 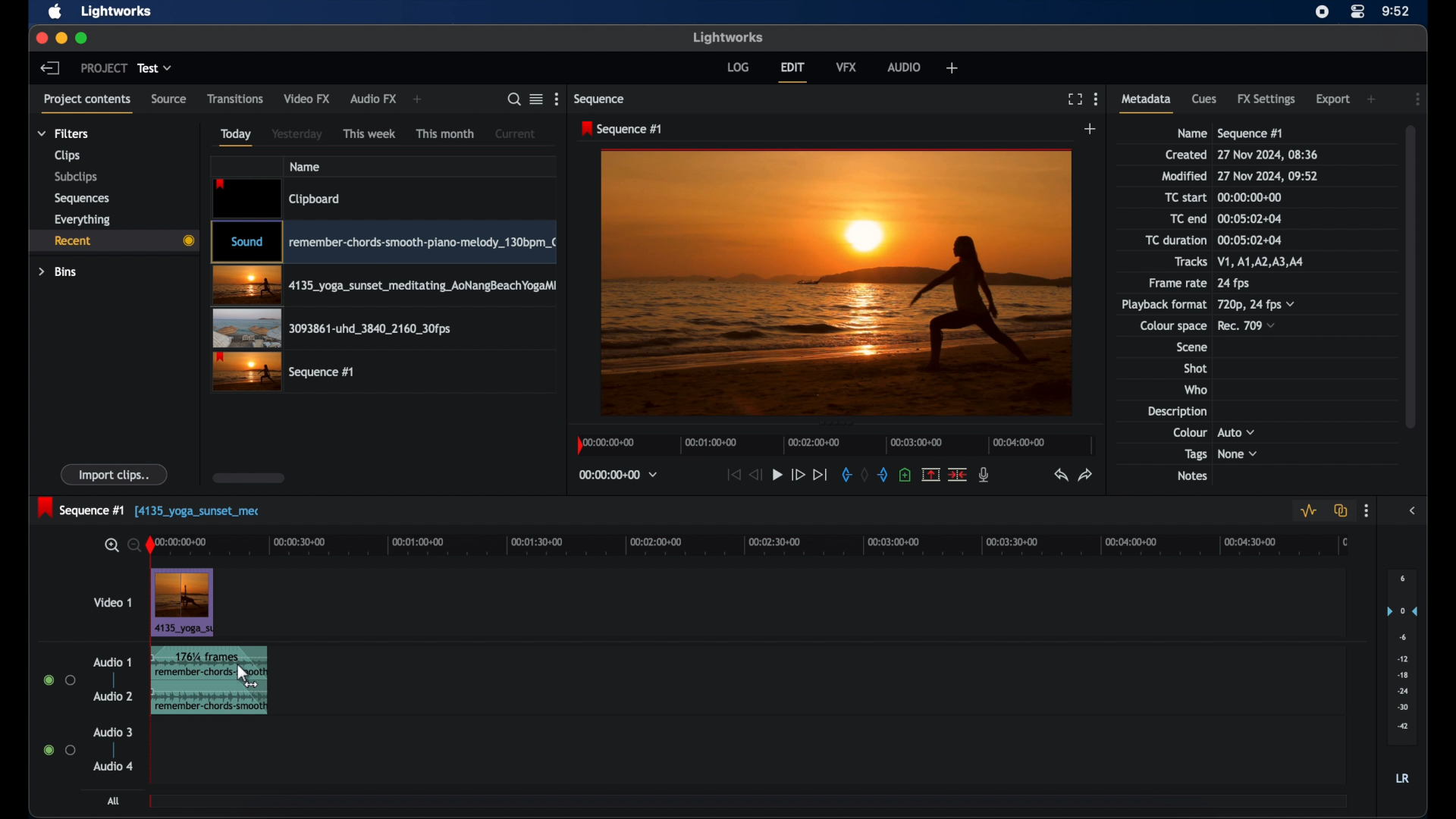 I want to click on tracks, so click(x=1266, y=262).